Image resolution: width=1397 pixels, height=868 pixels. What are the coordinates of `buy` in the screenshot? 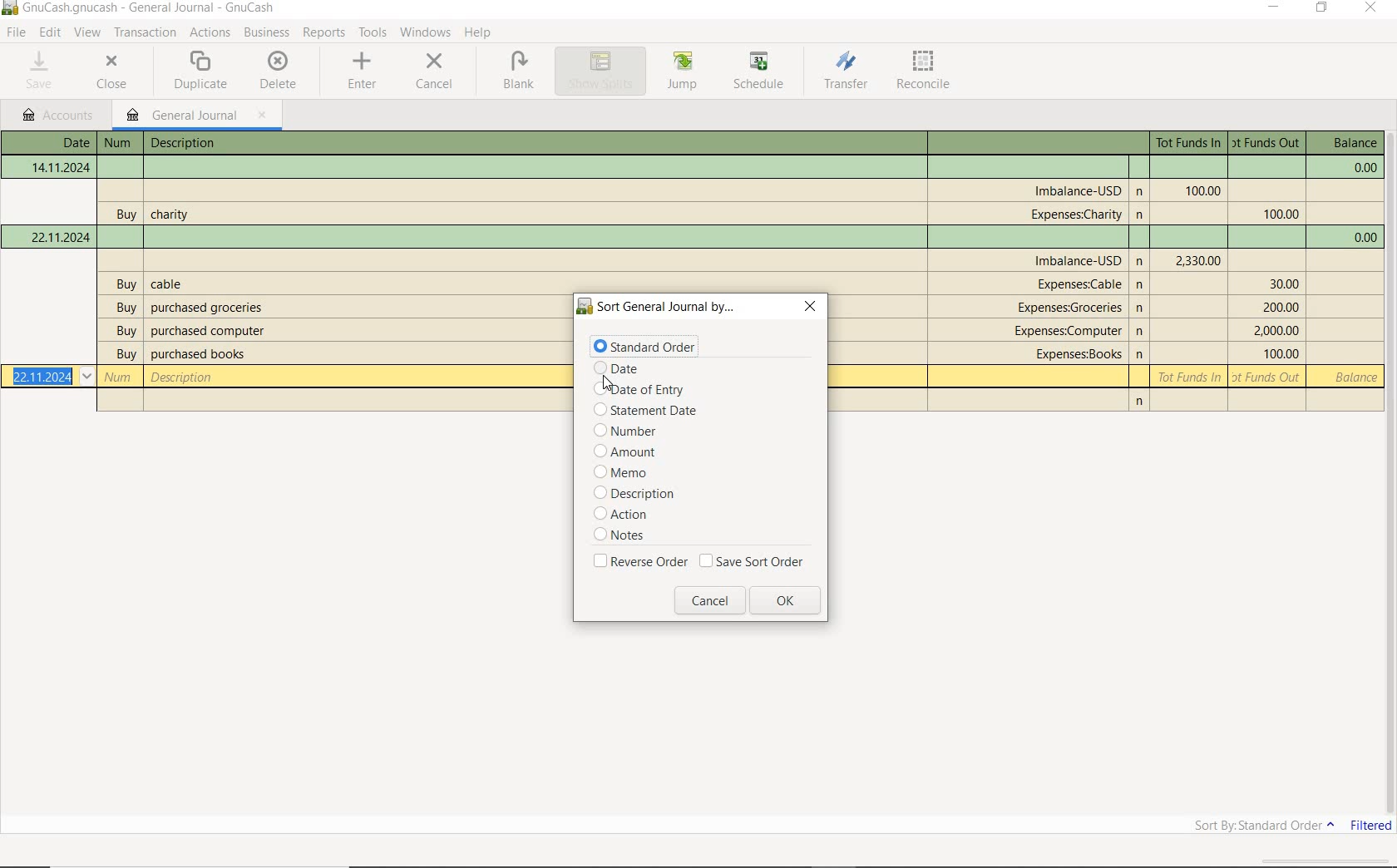 It's located at (126, 355).